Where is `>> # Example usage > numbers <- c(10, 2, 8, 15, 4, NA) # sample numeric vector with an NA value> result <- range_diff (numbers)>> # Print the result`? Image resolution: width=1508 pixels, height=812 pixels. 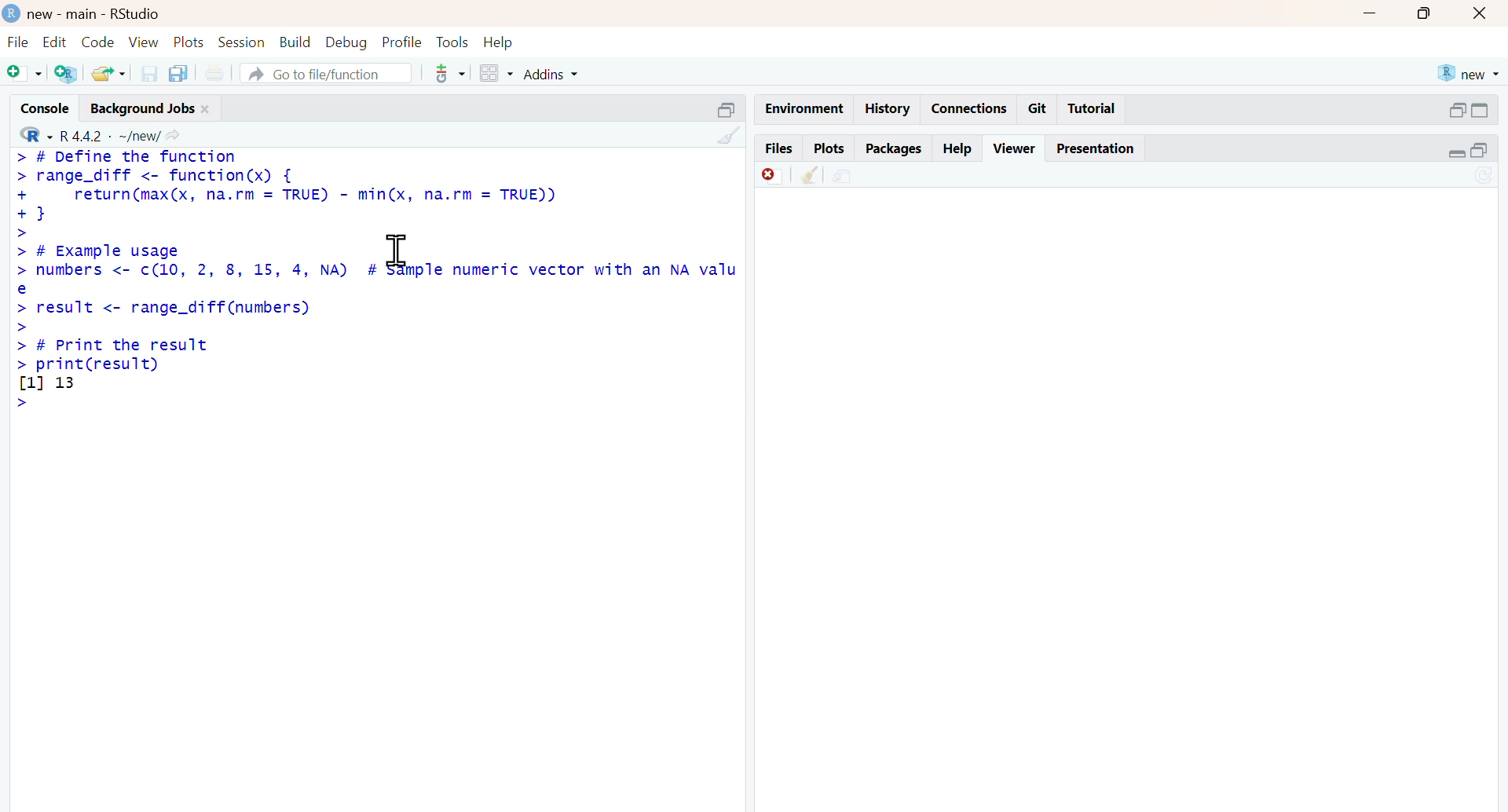 >> # Example usage > numbers <- c(10, 2, 8, 15, 4, NA) # sample numeric vector with an NA value> result <- range_diff (numbers)>> # Print the result is located at coordinates (377, 291).